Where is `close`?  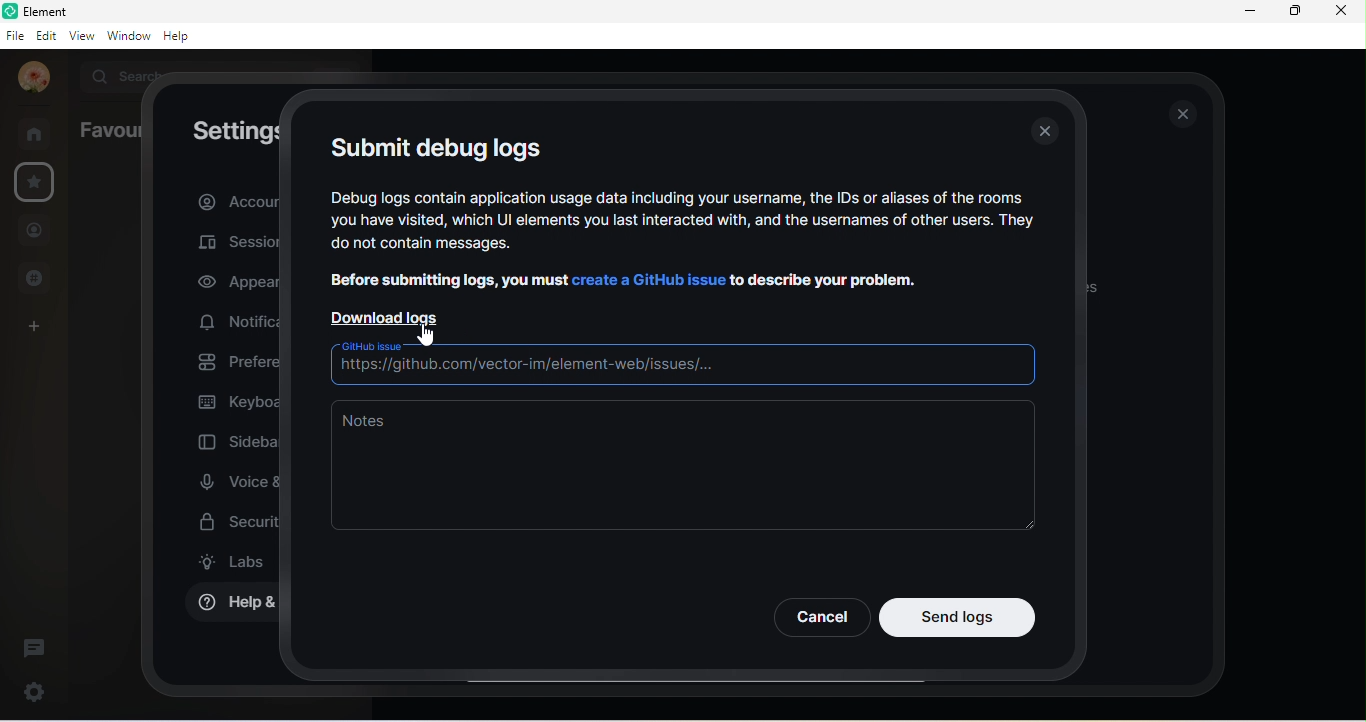 close is located at coordinates (1048, 133).